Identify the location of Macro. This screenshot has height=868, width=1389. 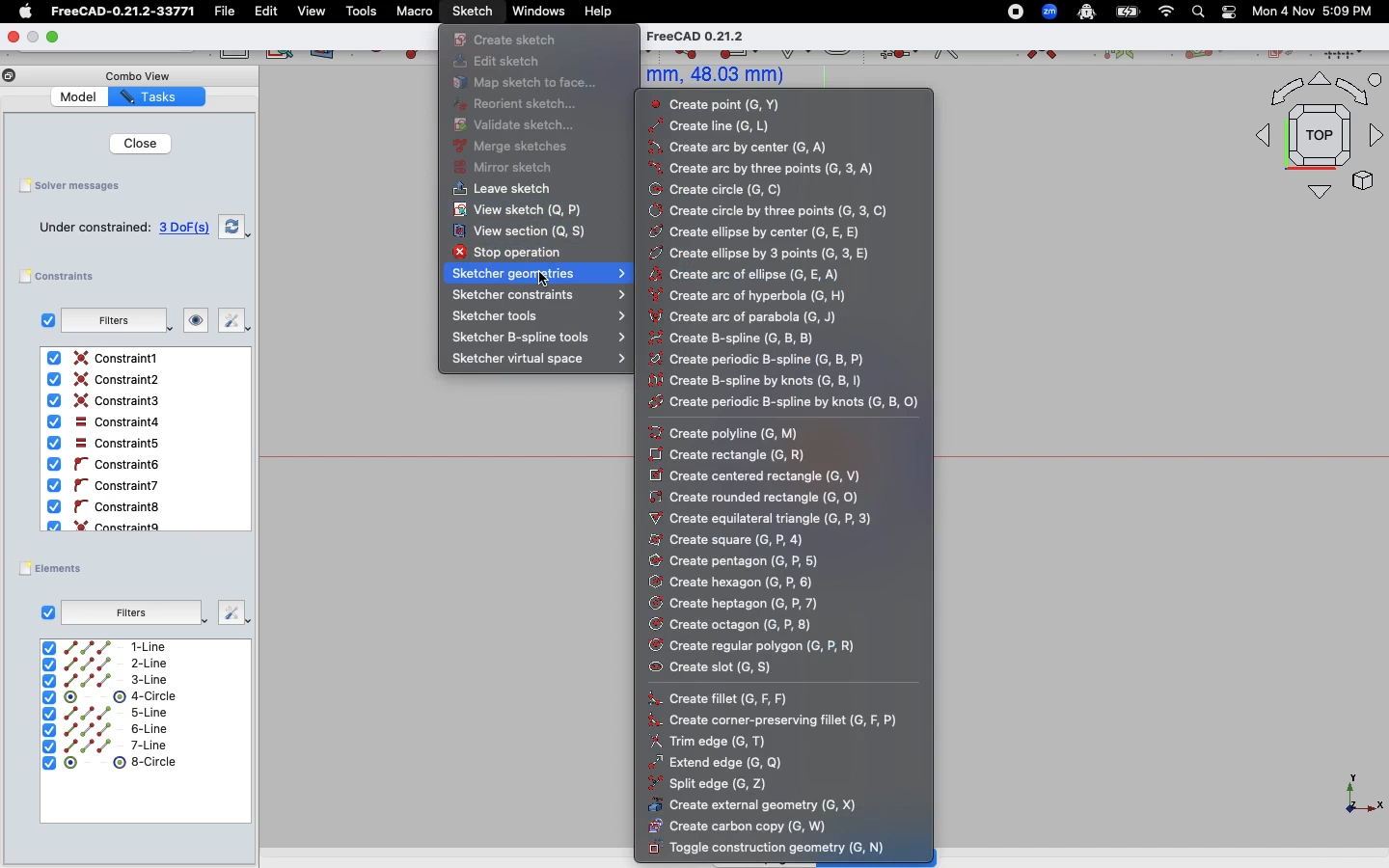
(413, 12).